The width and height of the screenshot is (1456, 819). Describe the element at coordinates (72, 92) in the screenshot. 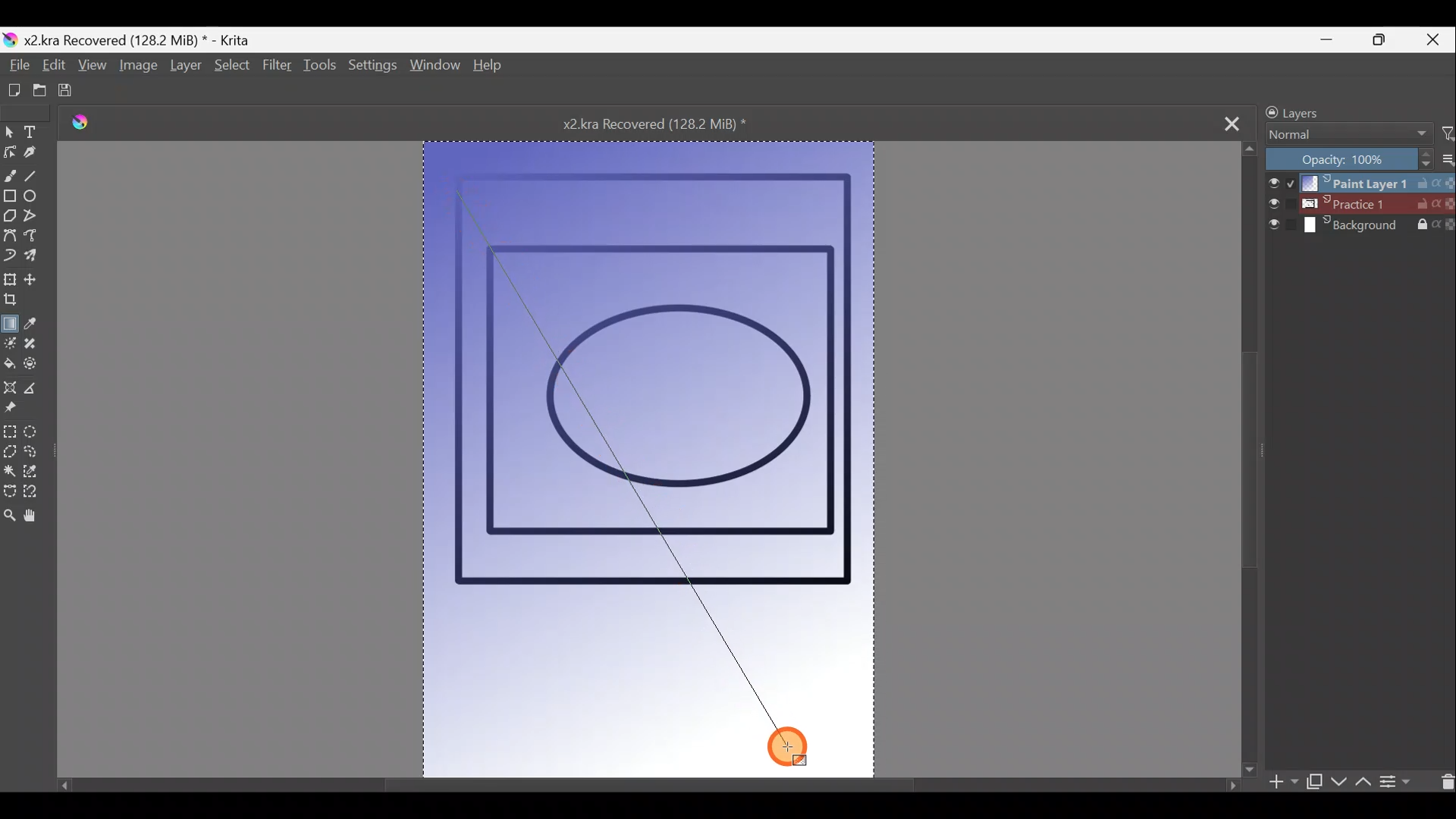

I see `Save` at that location.